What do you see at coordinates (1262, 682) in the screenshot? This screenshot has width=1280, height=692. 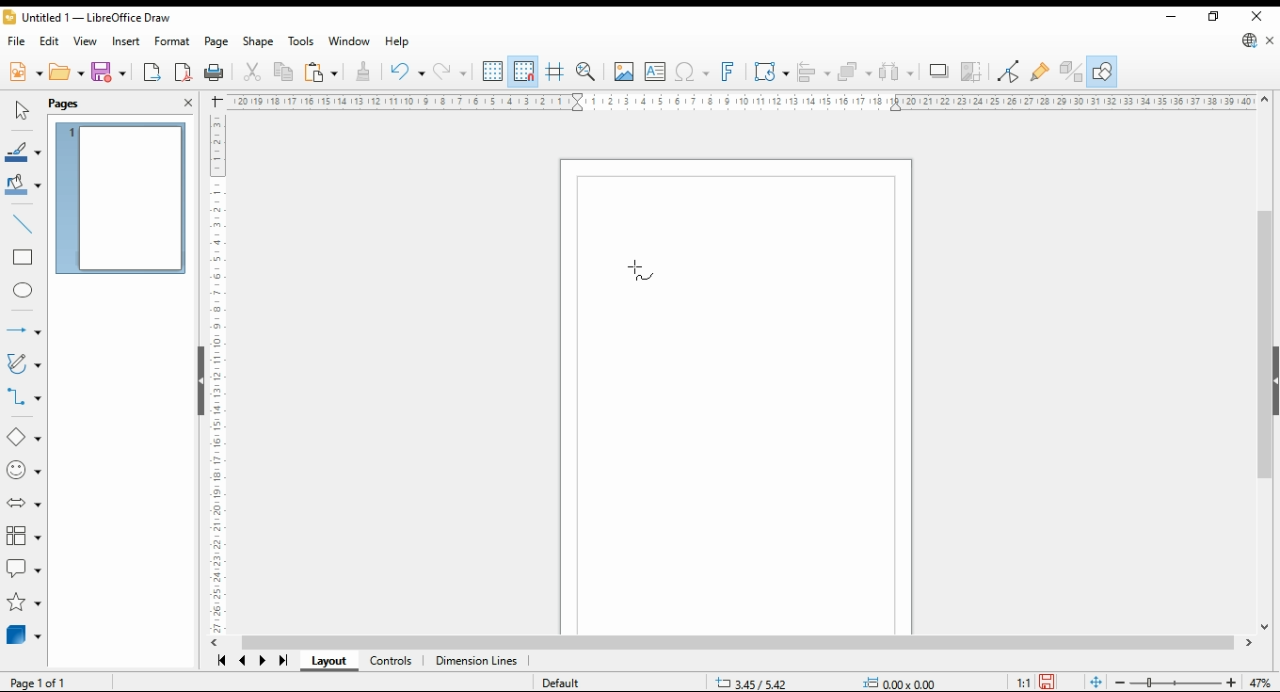 I see `zoom factor` at bounding box center [1262, 682].